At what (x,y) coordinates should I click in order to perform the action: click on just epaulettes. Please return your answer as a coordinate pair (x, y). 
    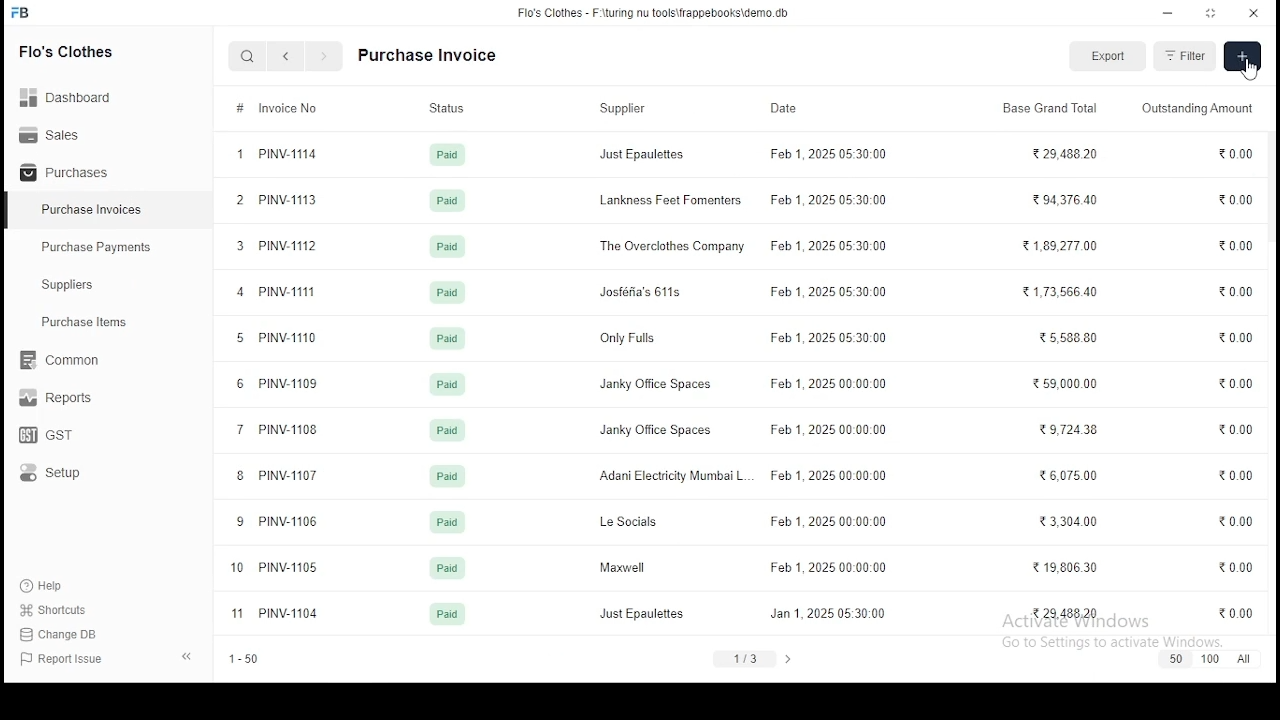
    Looking at the image, I should click on (643, 614).